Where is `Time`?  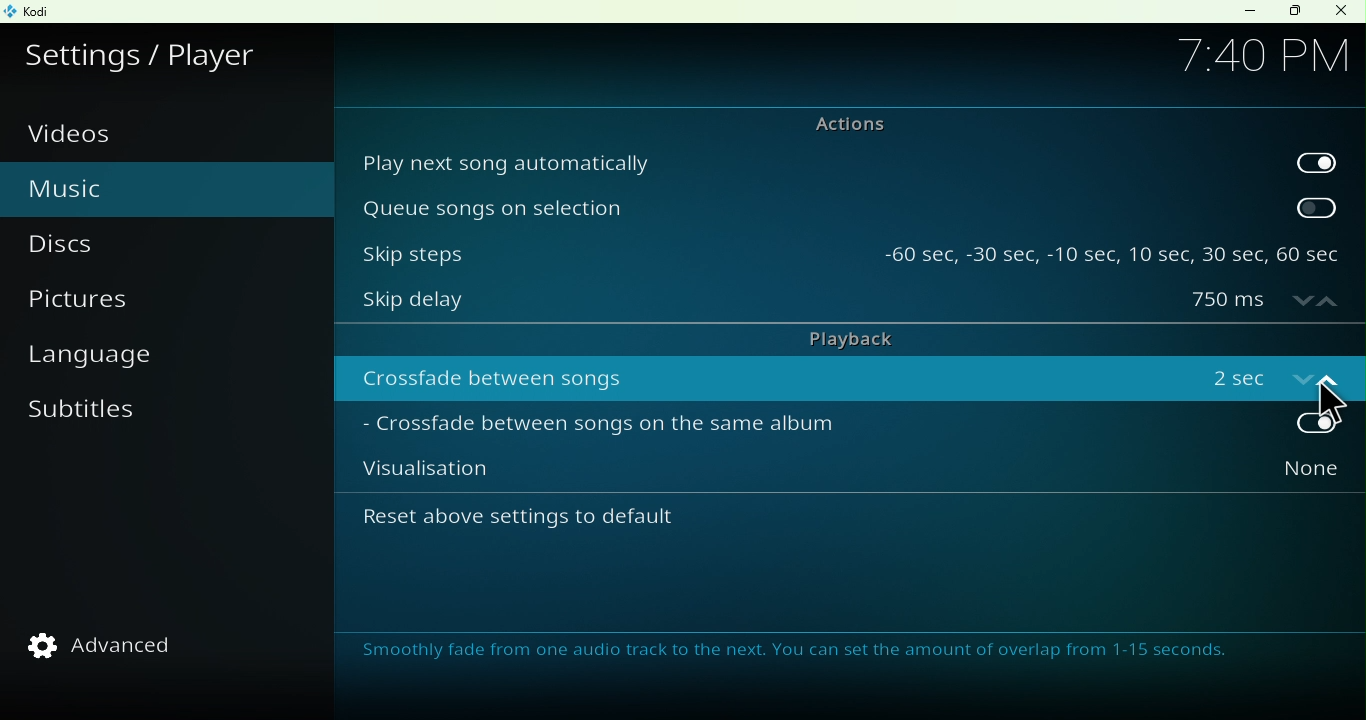
Time is located at coordinates (1262, 53).